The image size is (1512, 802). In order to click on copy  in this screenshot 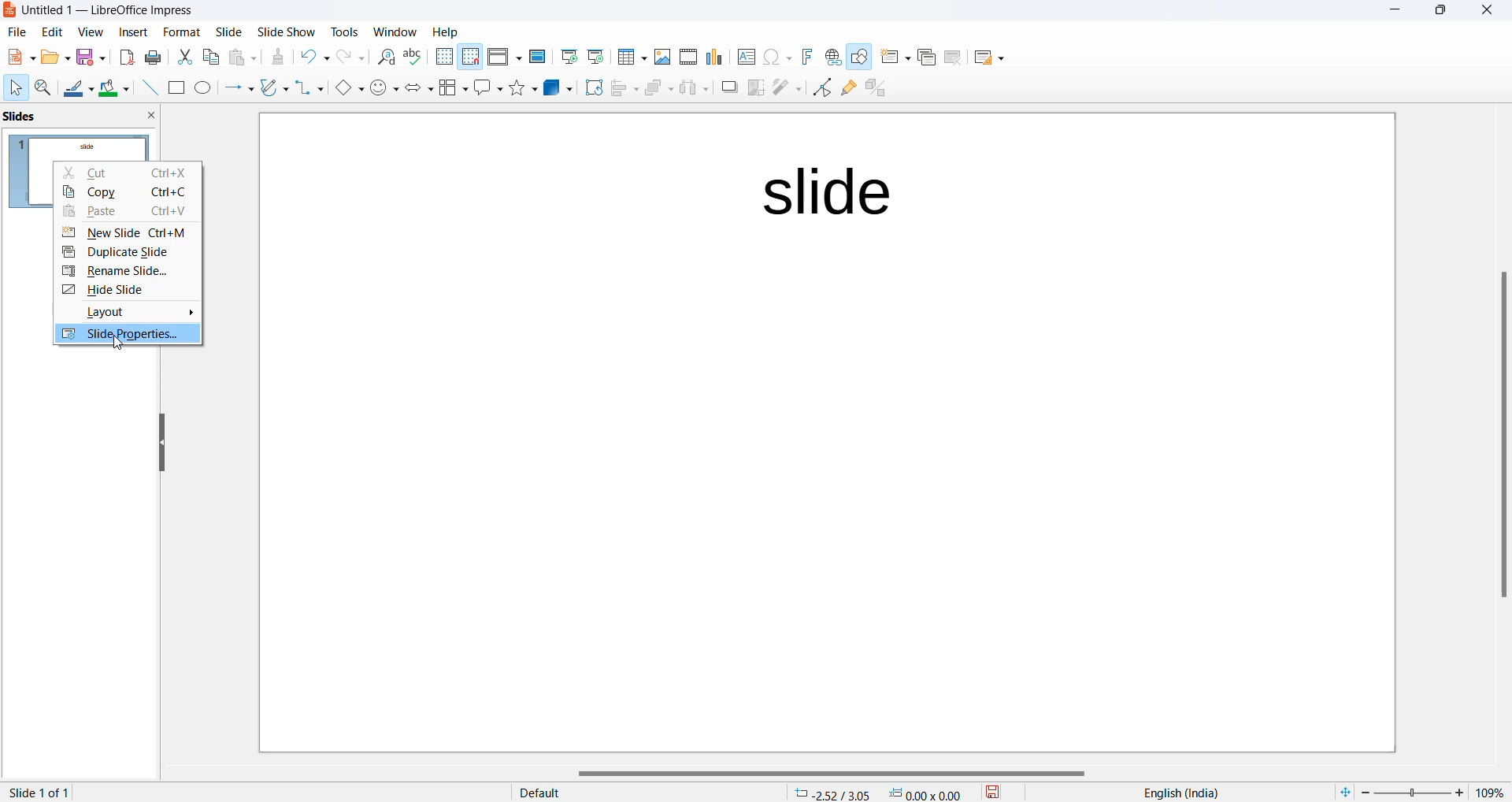, I will do `click(130, 195)`.